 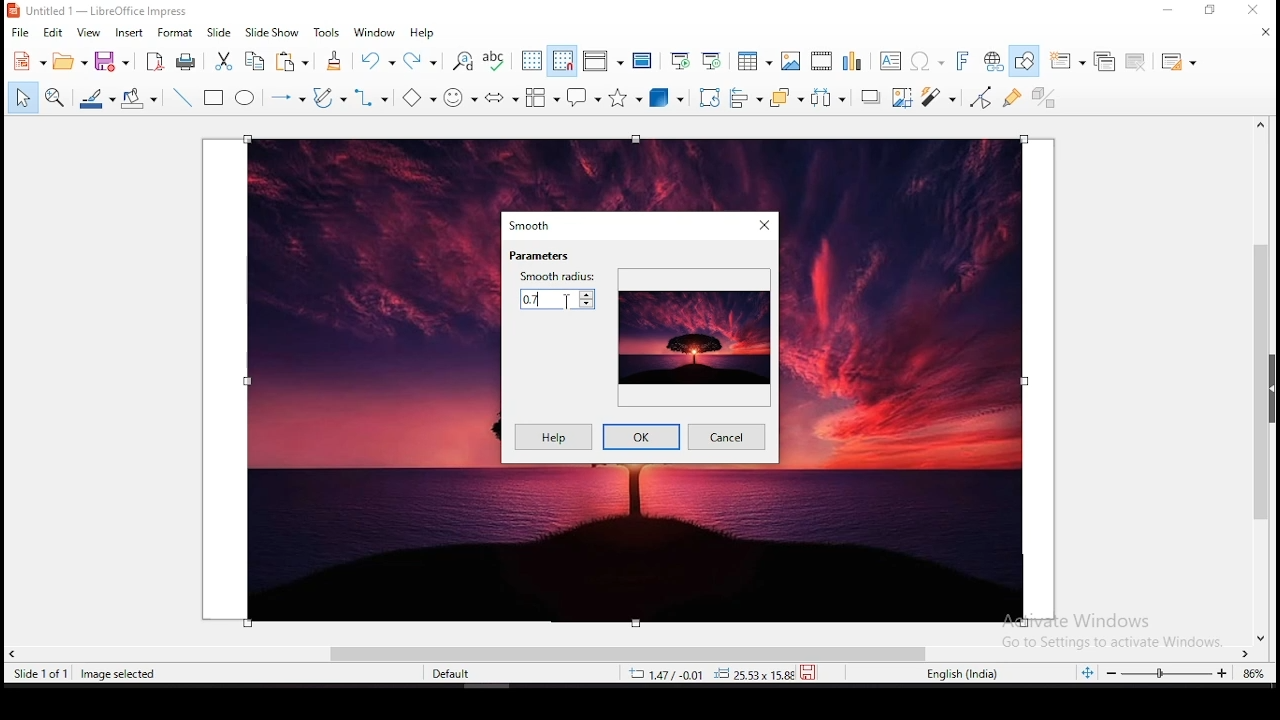 I want to click on icon and filename - LibreOffice, so click(x=100, y=11).